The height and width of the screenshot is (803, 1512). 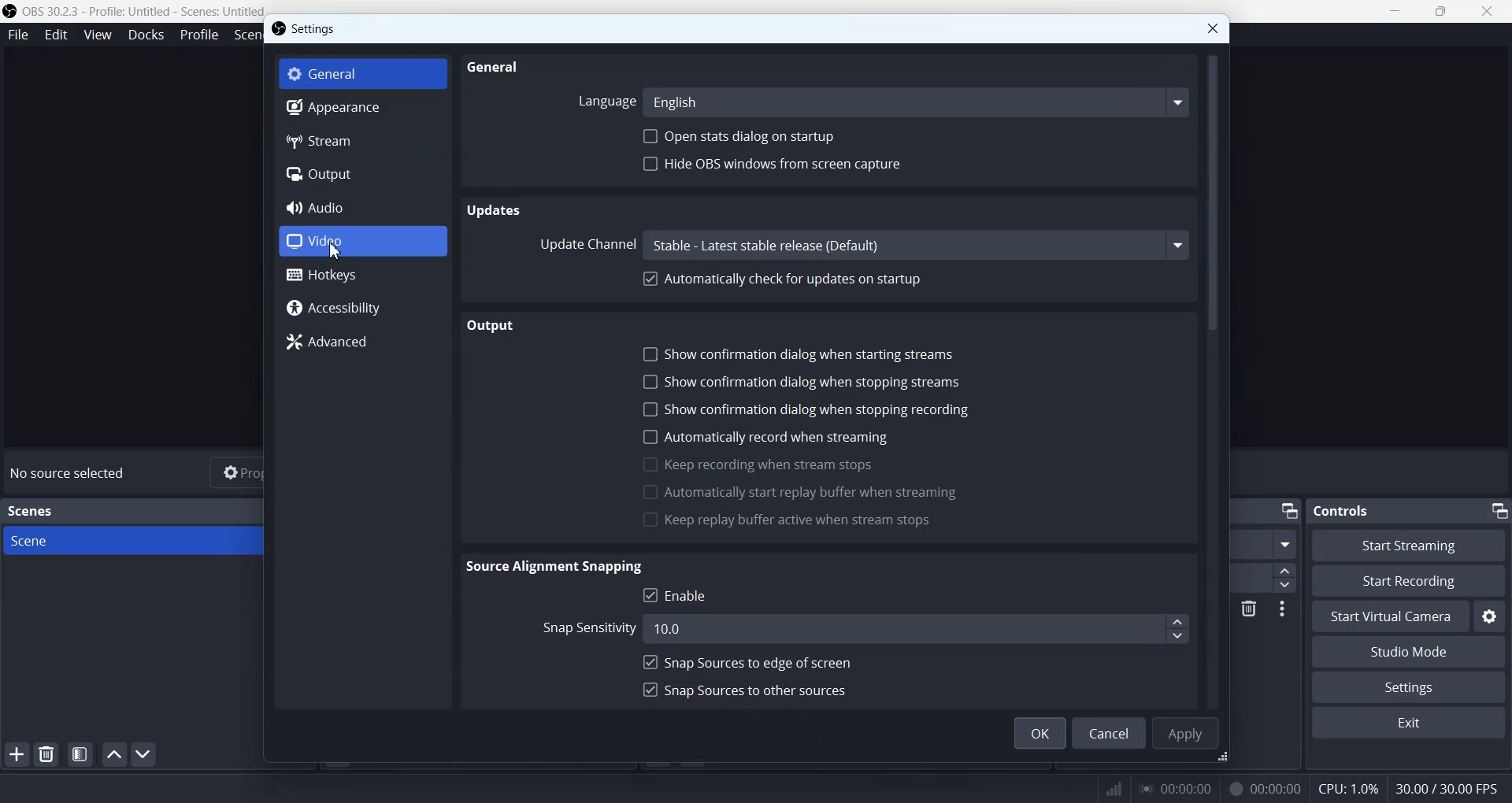 What do you see at coordinates (495, 211) in the screenshot?
I see `Updates` at bounding box center [495, 211].